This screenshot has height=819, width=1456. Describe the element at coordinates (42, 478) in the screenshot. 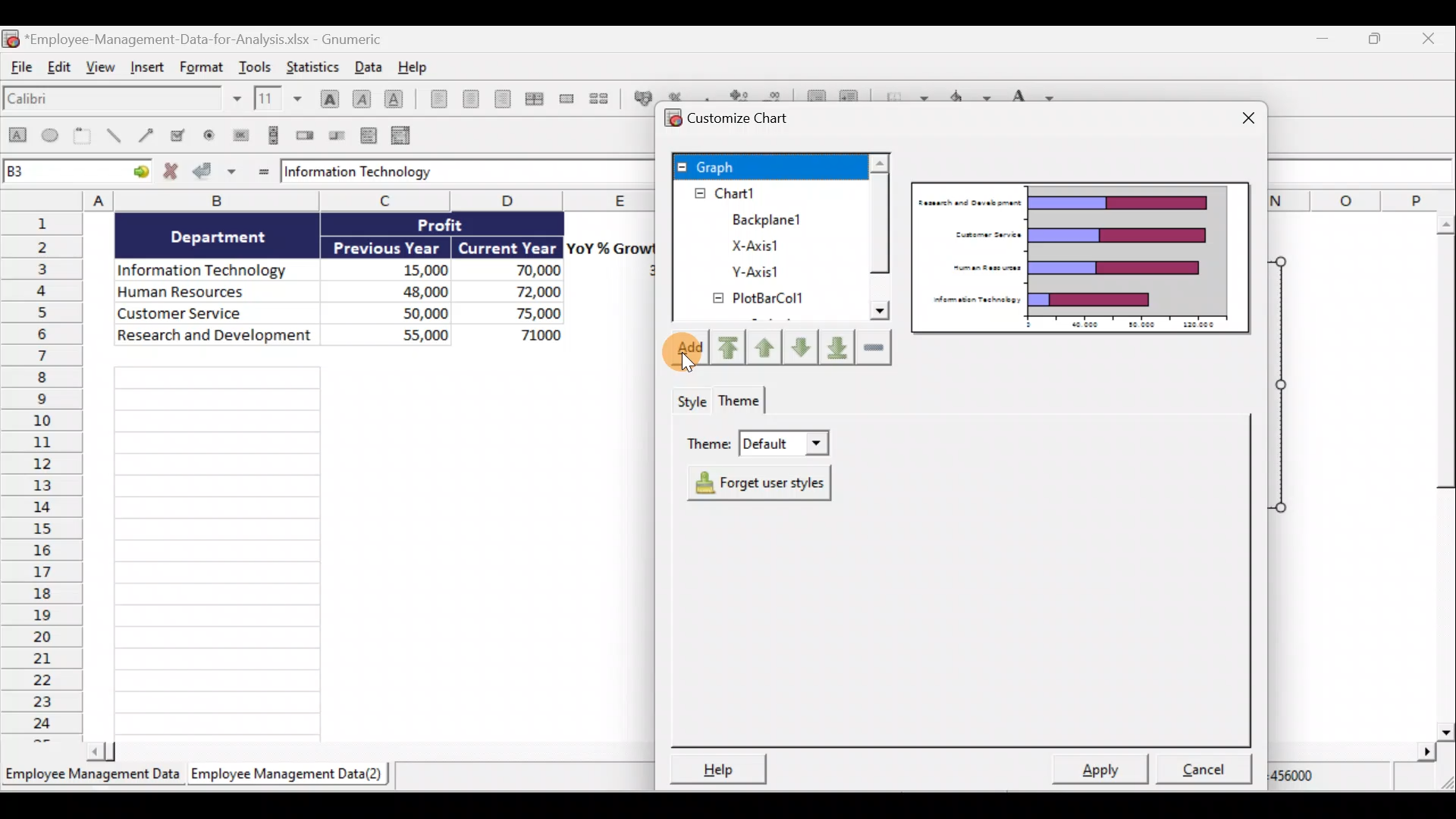

I see `Rows` at that location.